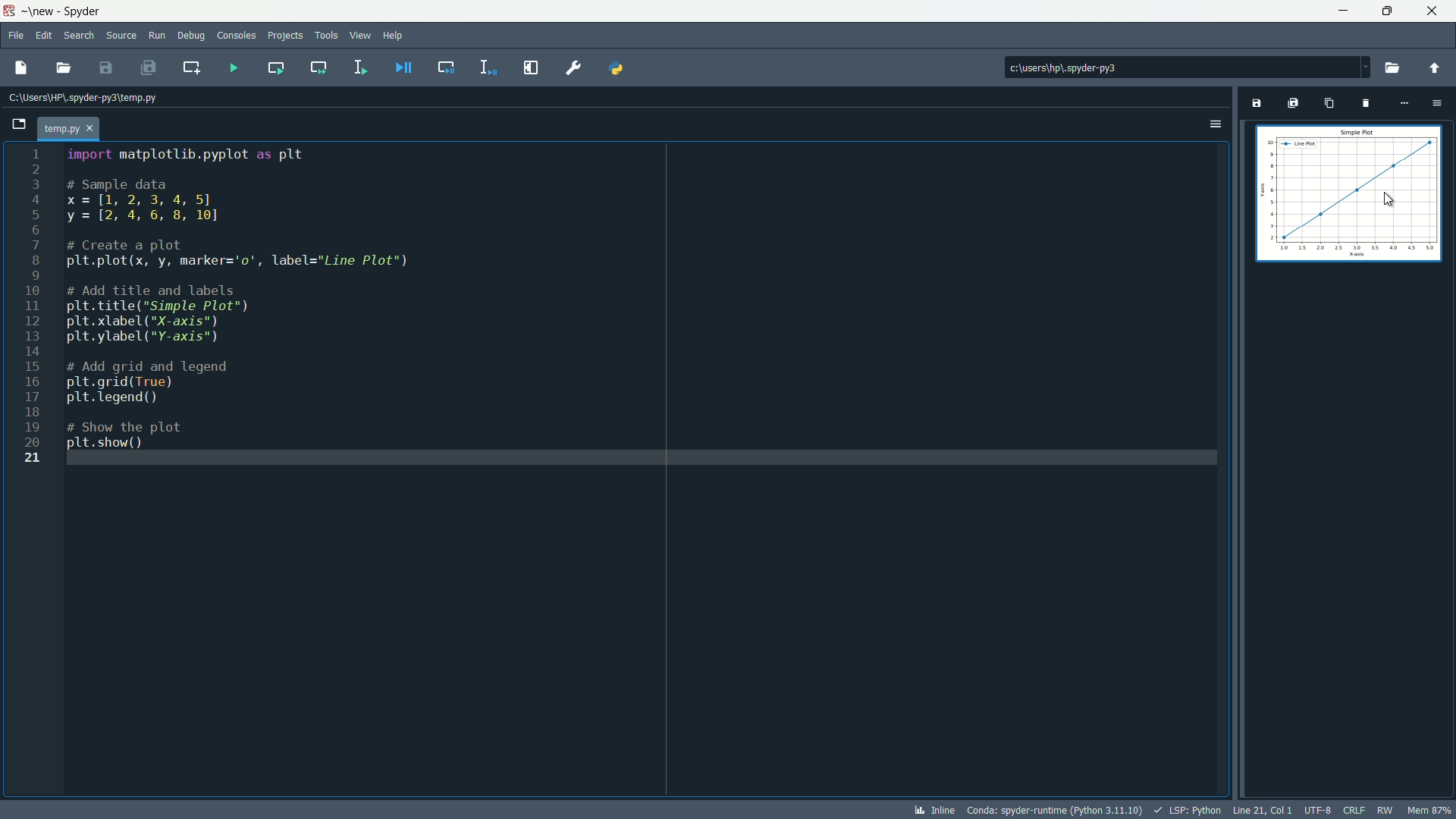  Describe the element at coordinates (150, 67) in the screenshot. I see `save all files ` at that location.